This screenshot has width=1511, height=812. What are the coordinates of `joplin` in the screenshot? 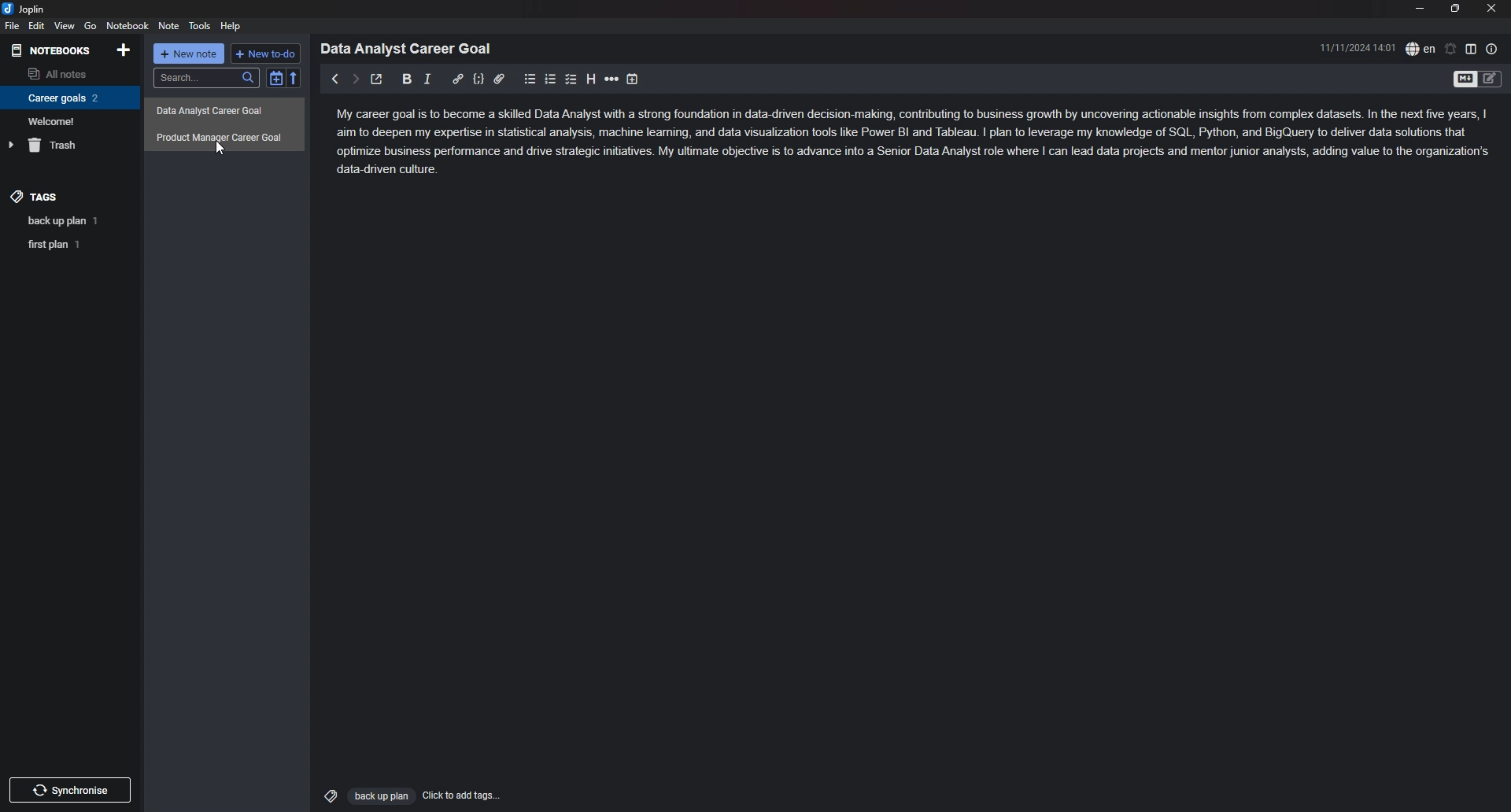 It's located at (25, 9).